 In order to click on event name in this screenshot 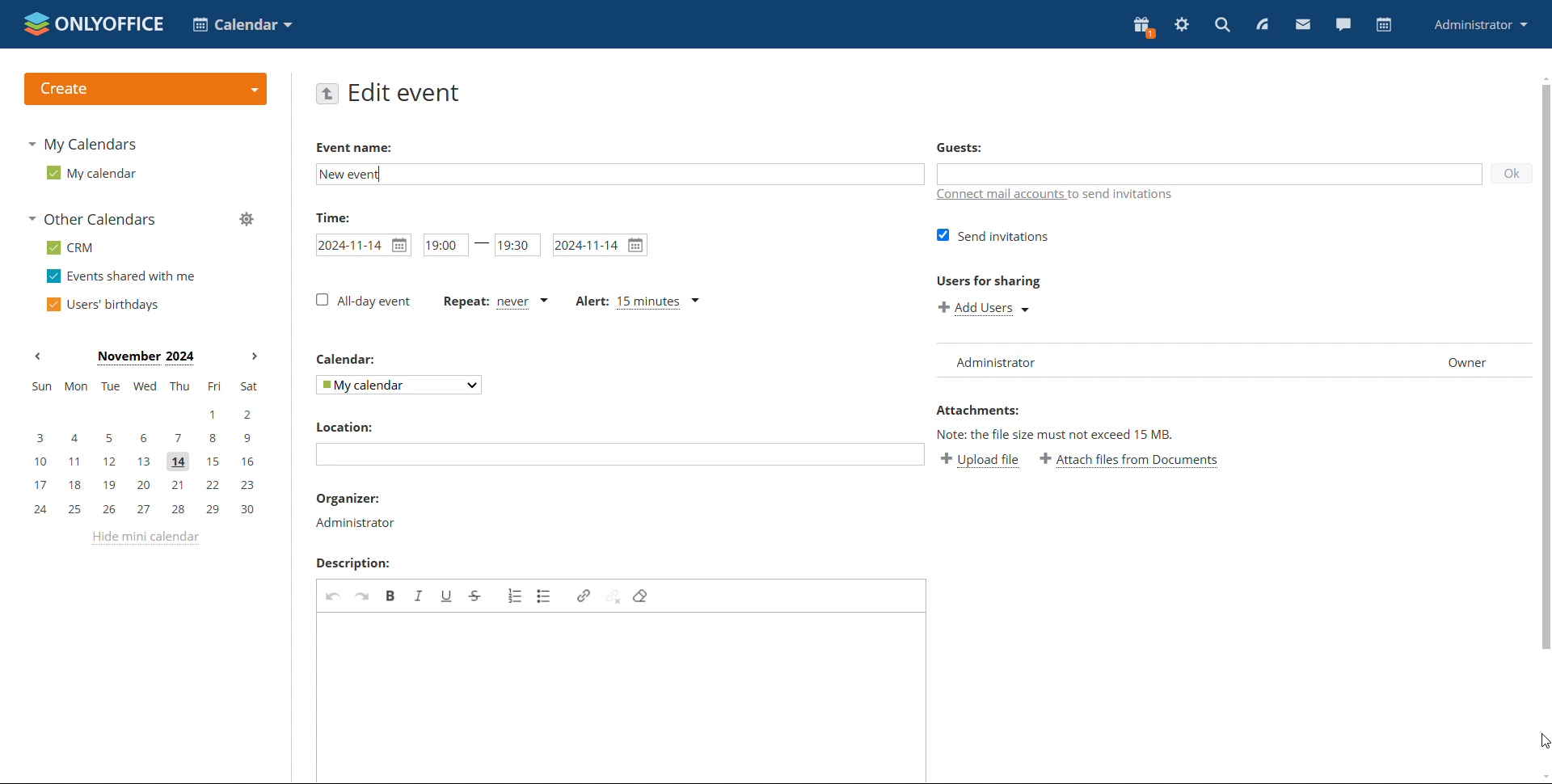, I will do `click(356, 147)`.